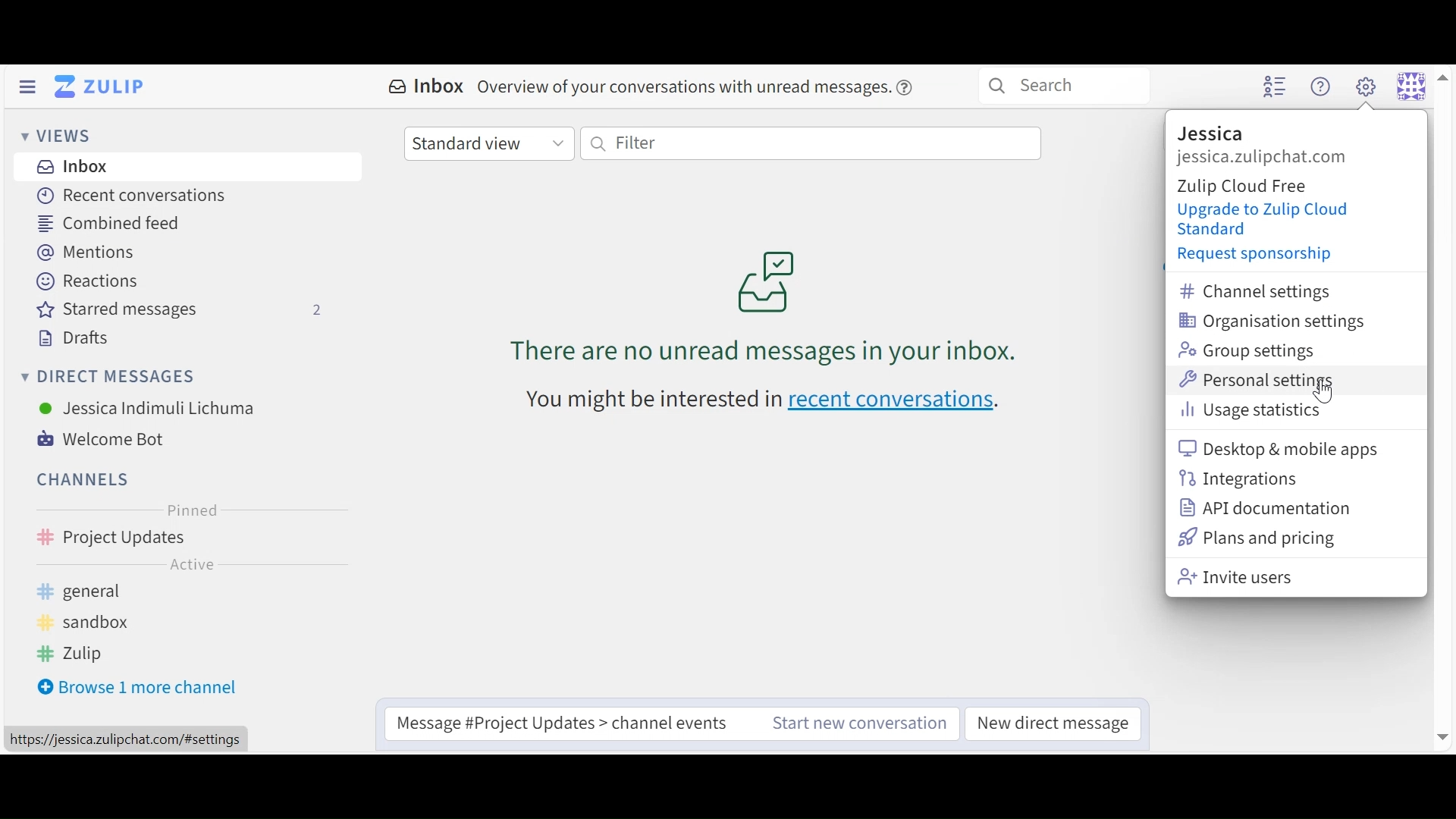 The height and width of the screenshot is (819, 1456). I want to click on https://jessica.zulipchat.com/#settings, so click(125, 741).